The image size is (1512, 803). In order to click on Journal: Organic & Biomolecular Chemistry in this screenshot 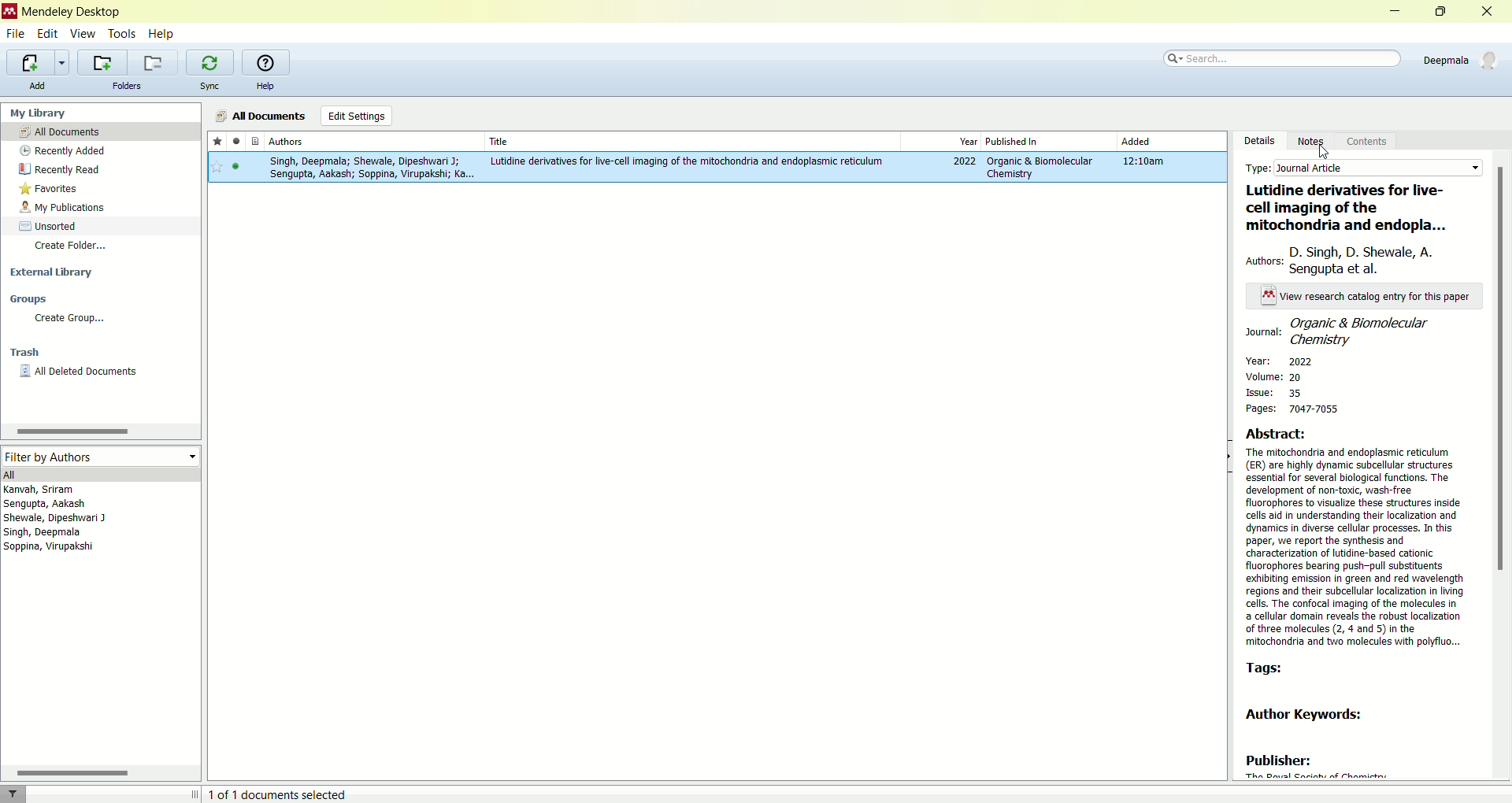, I will do `click(1366, 330)`.